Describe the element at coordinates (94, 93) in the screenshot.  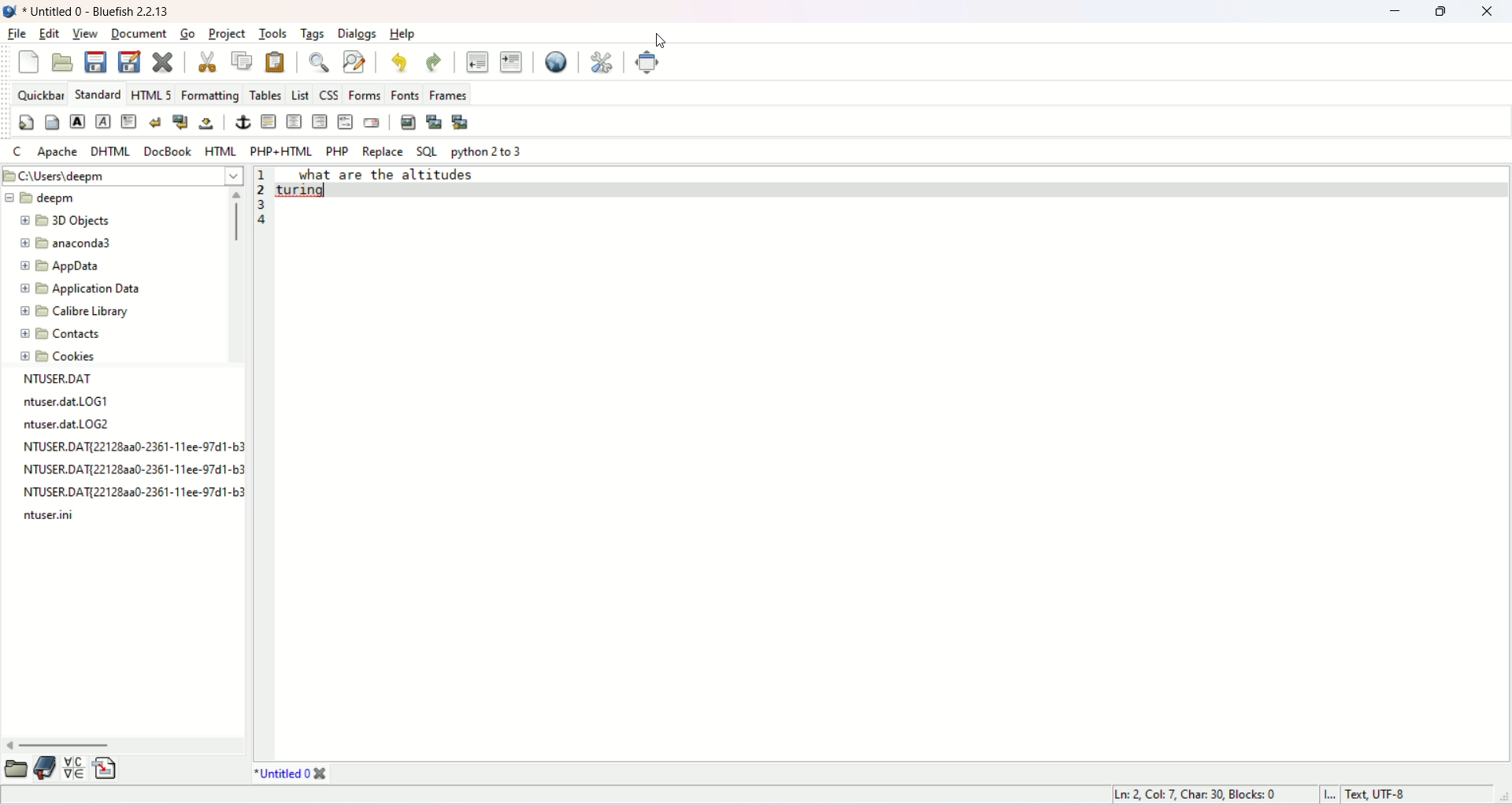
I see `standard` at that location.